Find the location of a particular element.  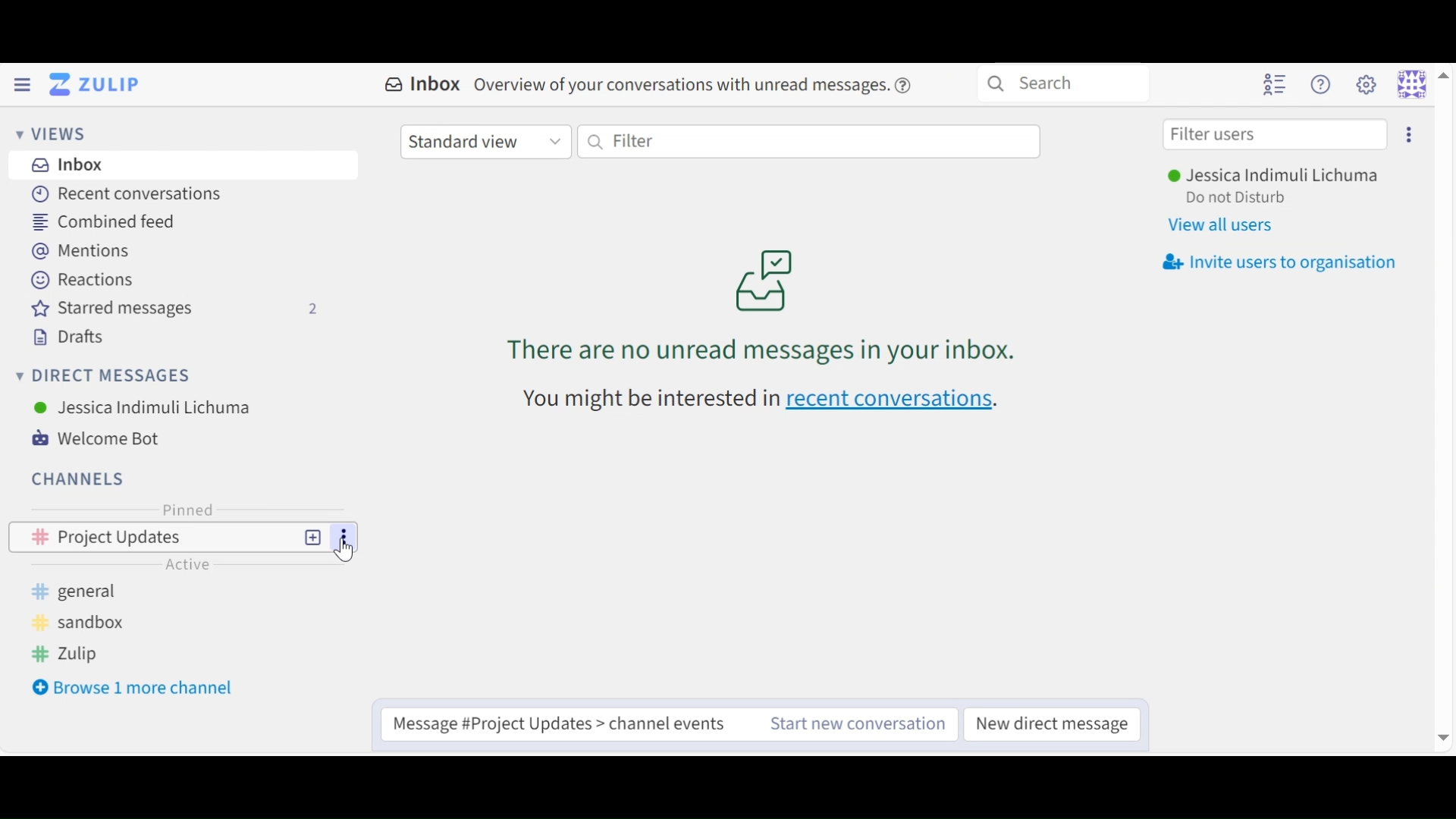

Up is located at coordinates (1441, 78).